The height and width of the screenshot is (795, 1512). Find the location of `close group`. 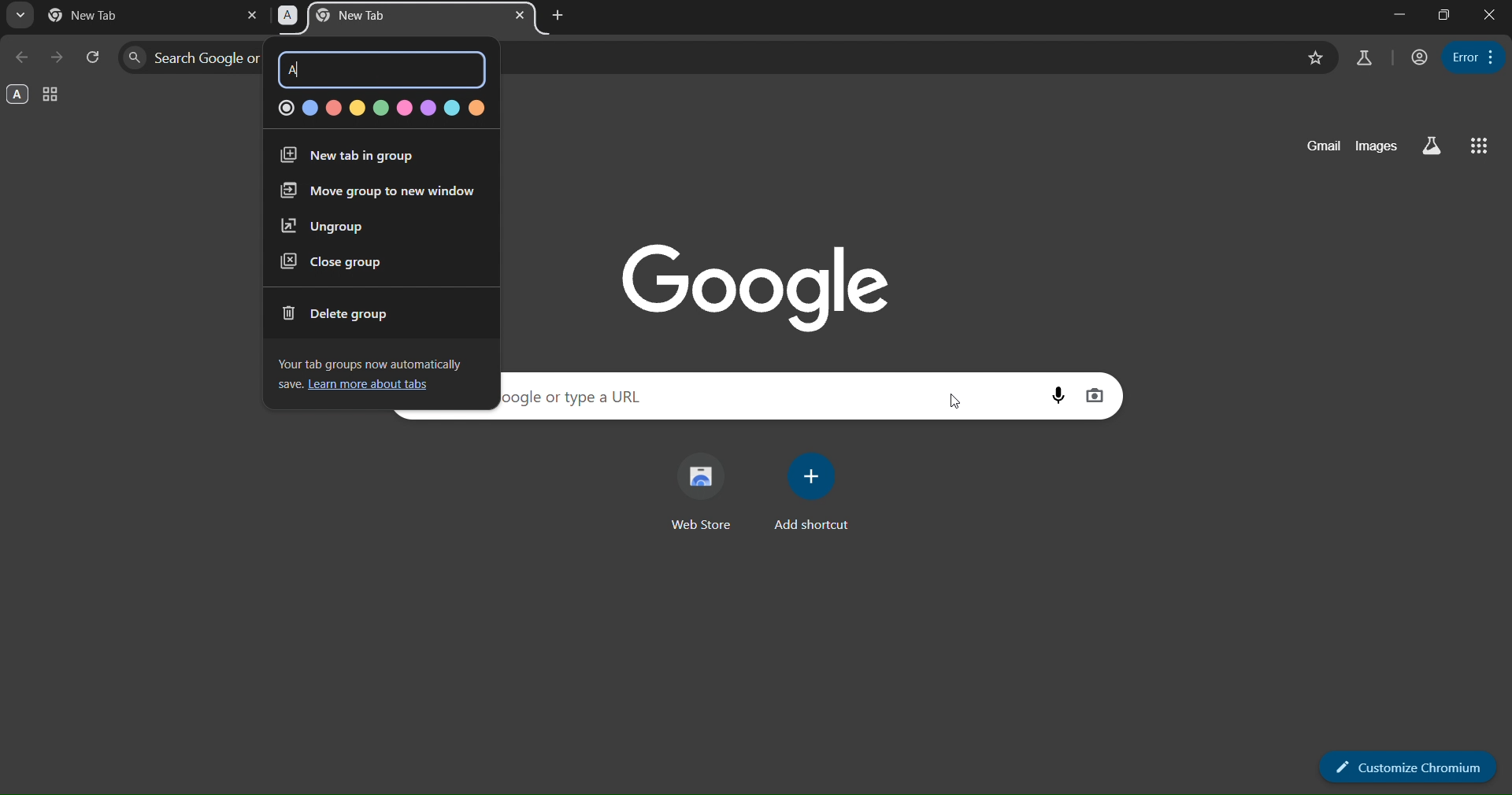

close group is located at coordinates (331, 262).